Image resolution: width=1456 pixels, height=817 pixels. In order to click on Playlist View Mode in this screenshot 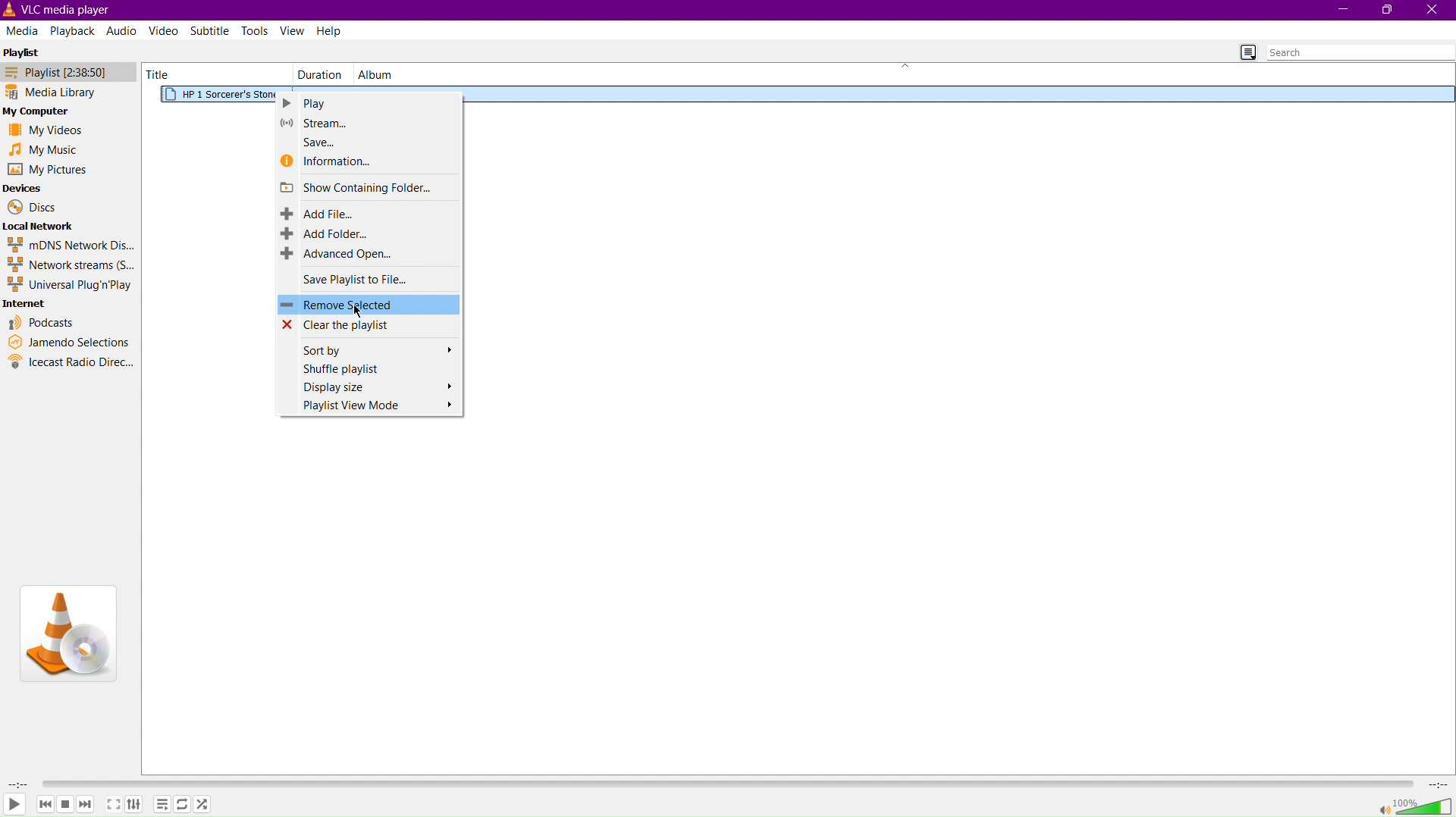, I will do `click(369, 407)`.